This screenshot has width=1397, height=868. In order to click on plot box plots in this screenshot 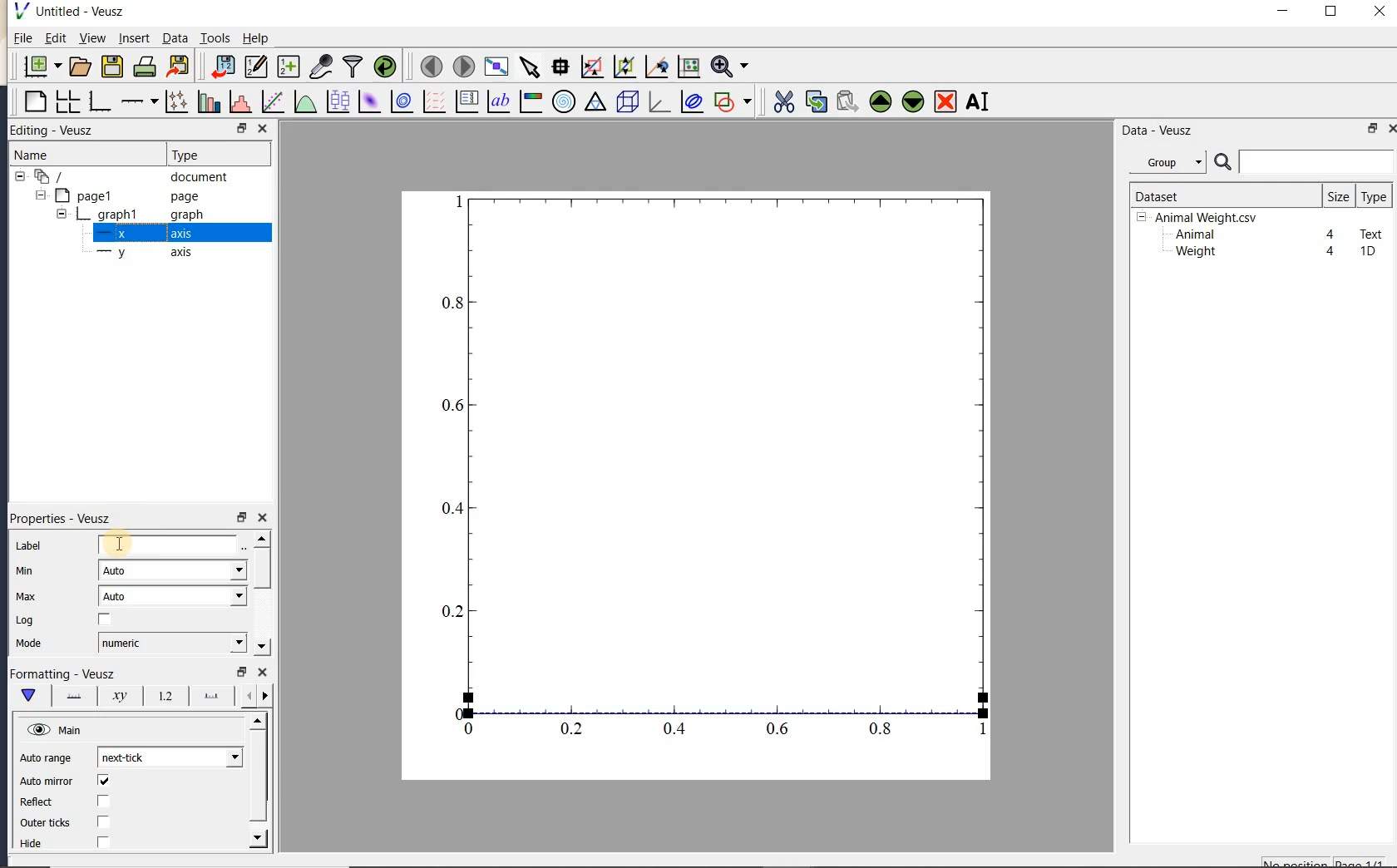, I will do `click(335, 102)`.